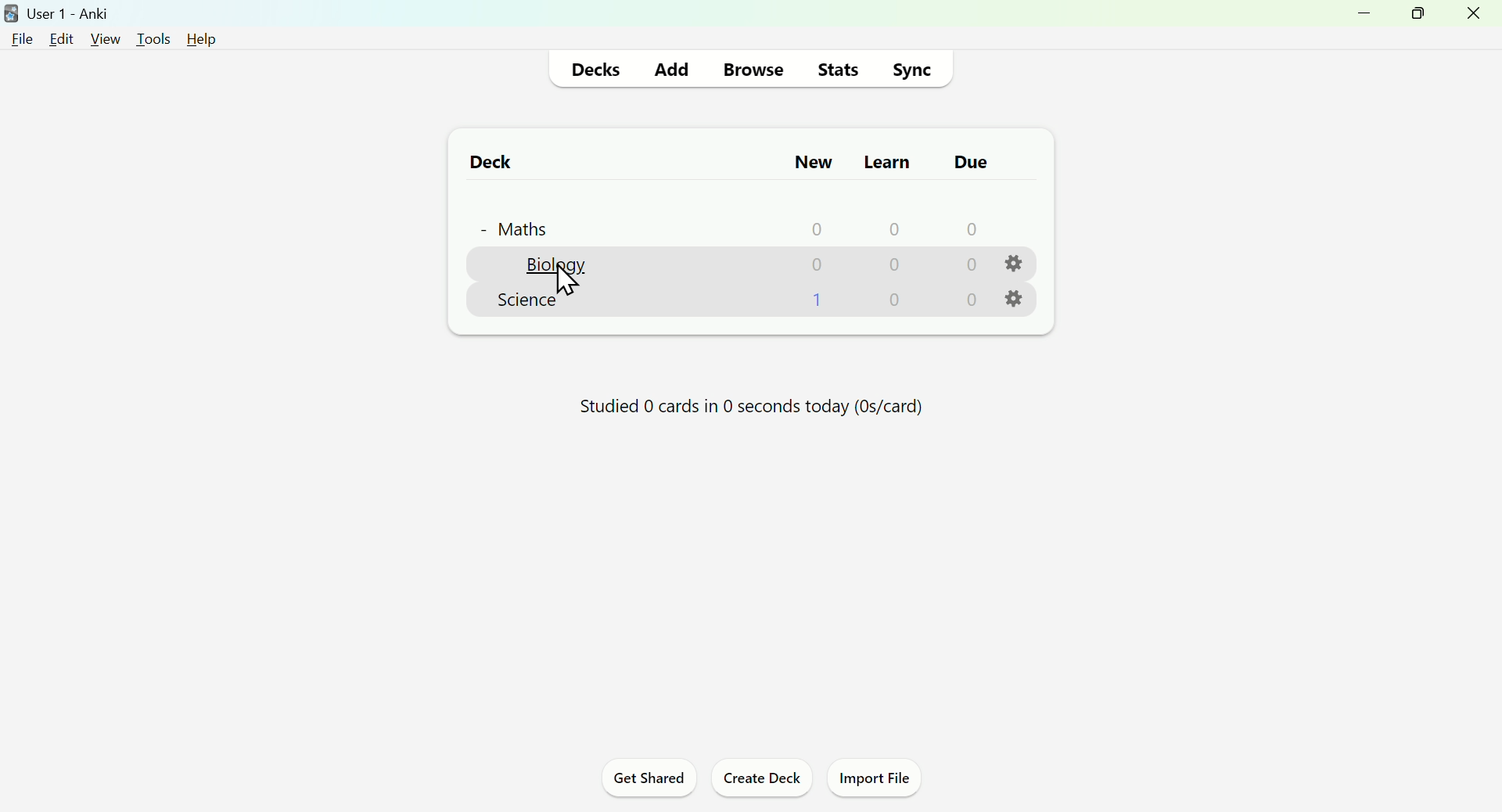  Describe the element at coordinates (672, 66) in the screenshot. I see `Add` at that location.